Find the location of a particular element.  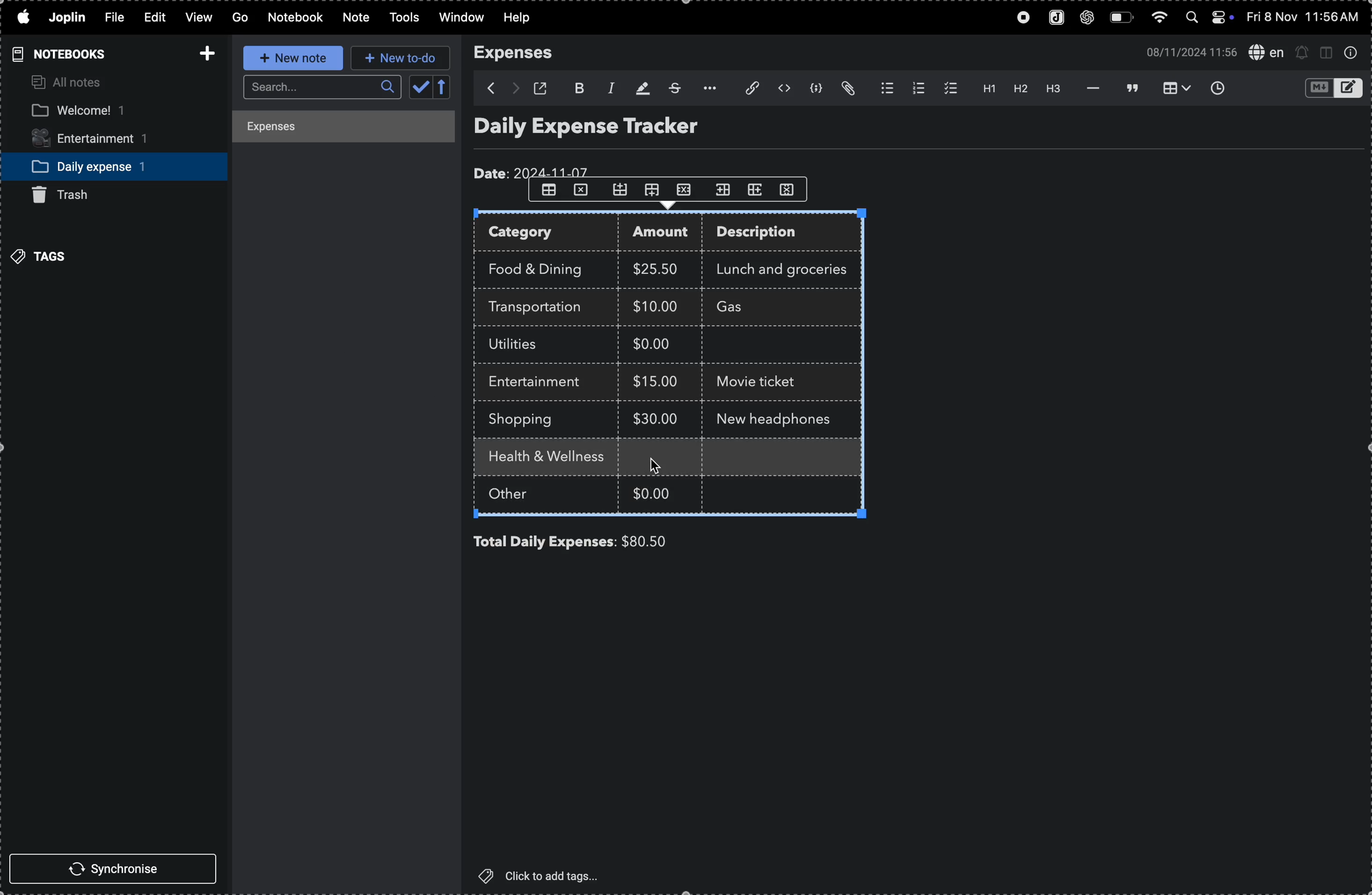

all notes is located at coordinates (69, 83).